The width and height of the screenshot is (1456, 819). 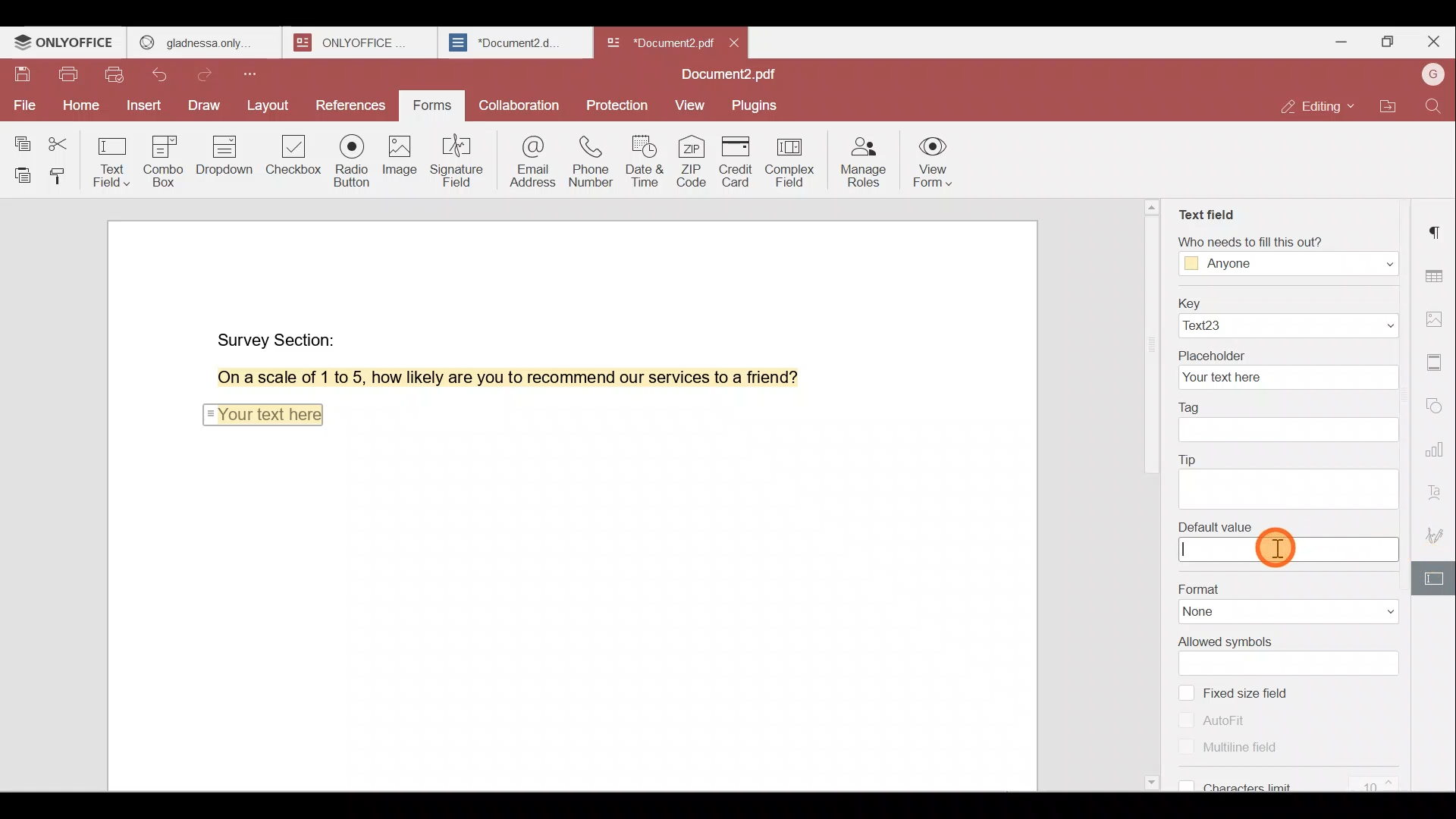 I want to click on Collaboration, so click(x=517, y=104).